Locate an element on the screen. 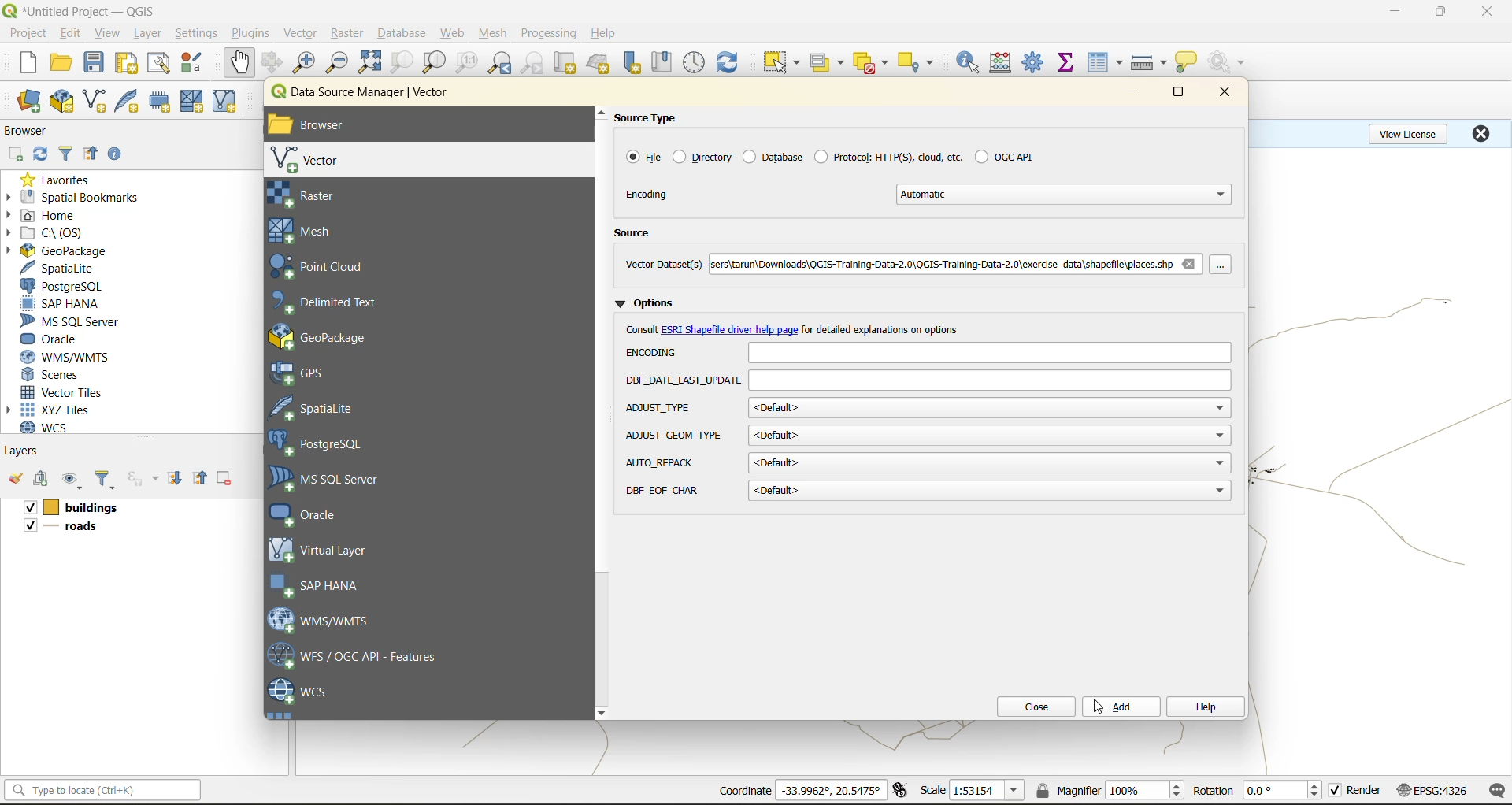 Image resolution: width=1512 pixels, height=805 pixels. vector dataset is located at coordinates (939, 262).